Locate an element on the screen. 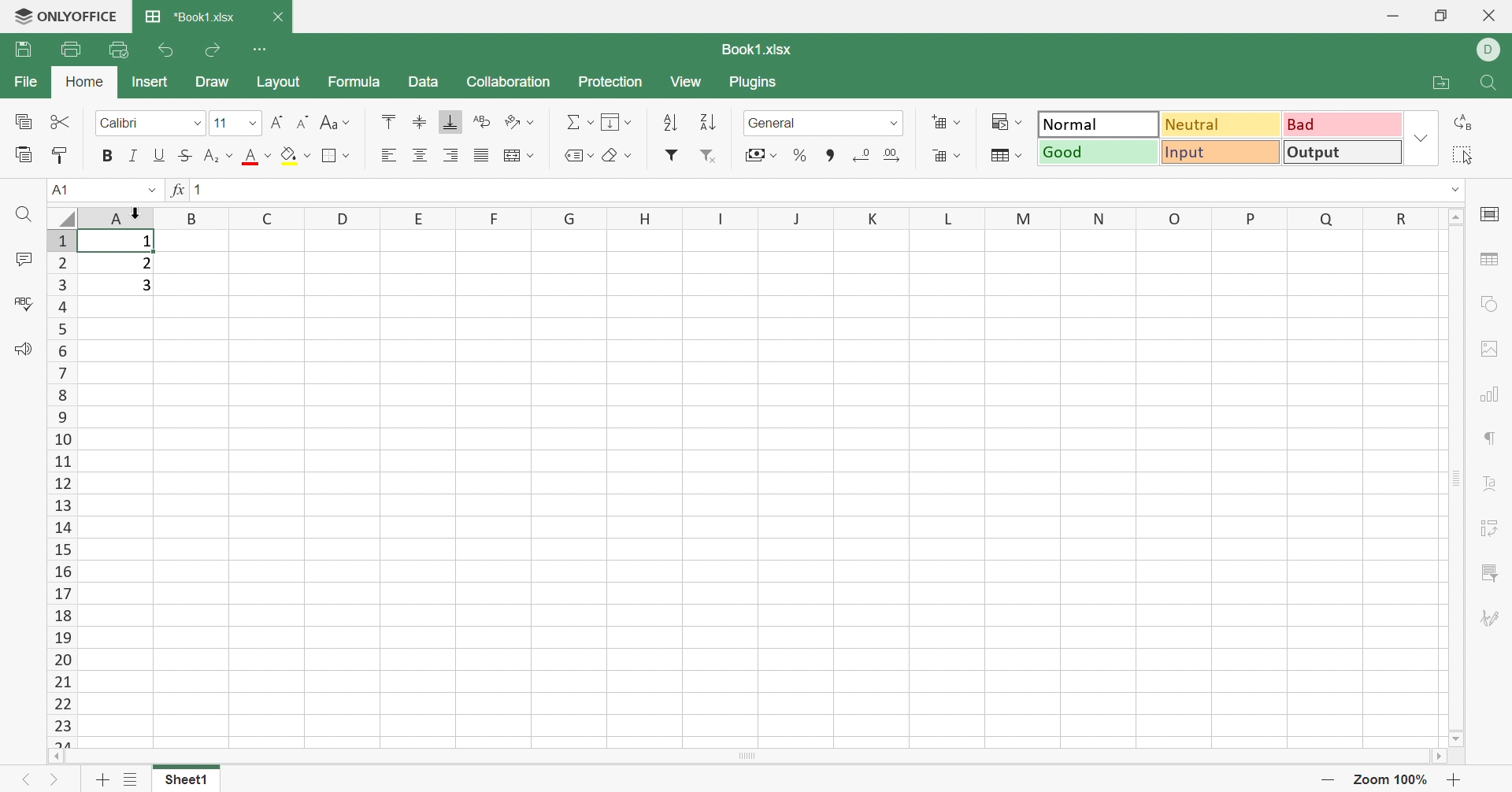 The width and height of the screenshot is (1512, 792). Zoom 100% is located at coordinates (1392, 782).